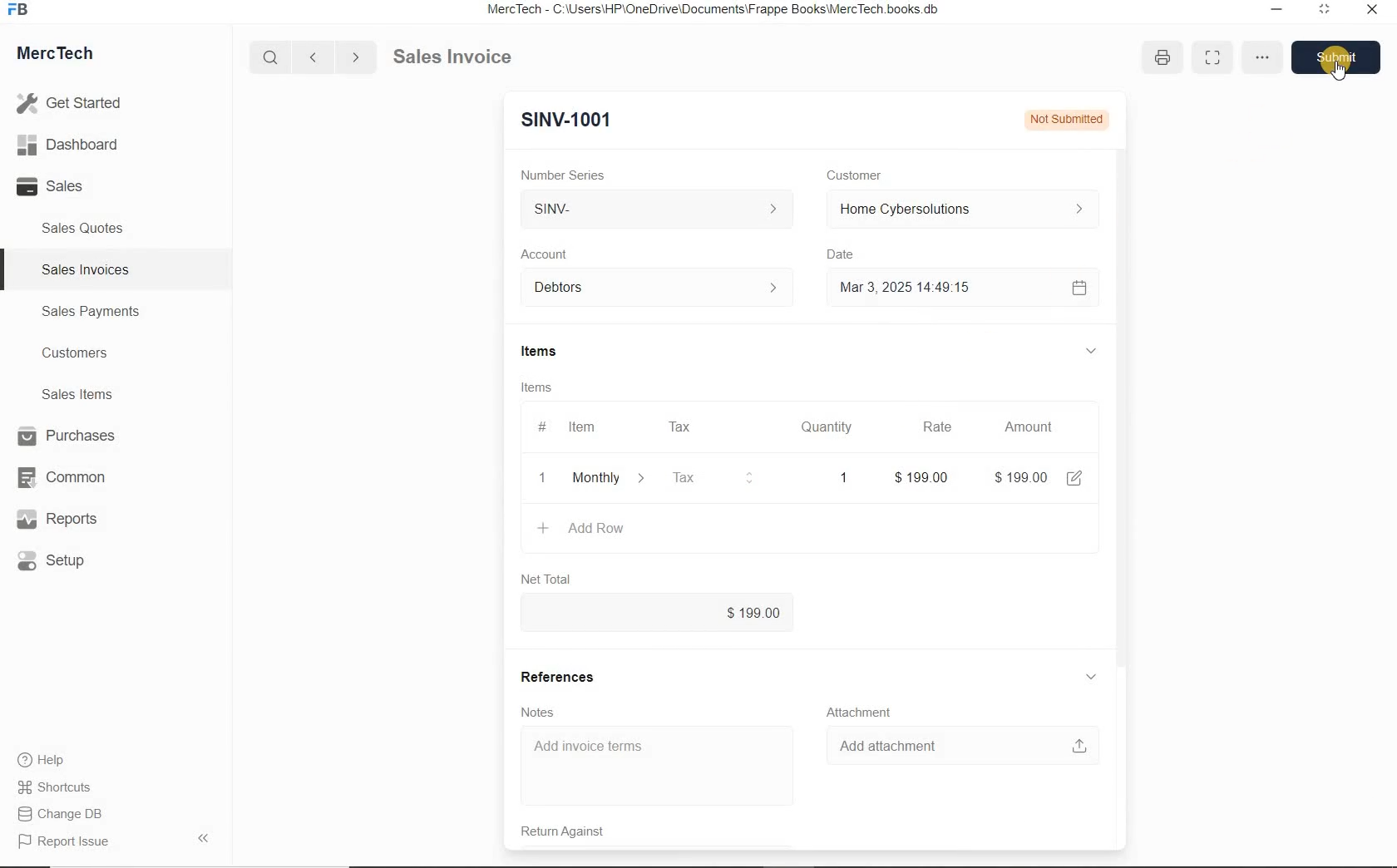  What do you see at coordinates (1340, 57) in the screenshot?
I see `Submit` at bounding box center [1340, 57].